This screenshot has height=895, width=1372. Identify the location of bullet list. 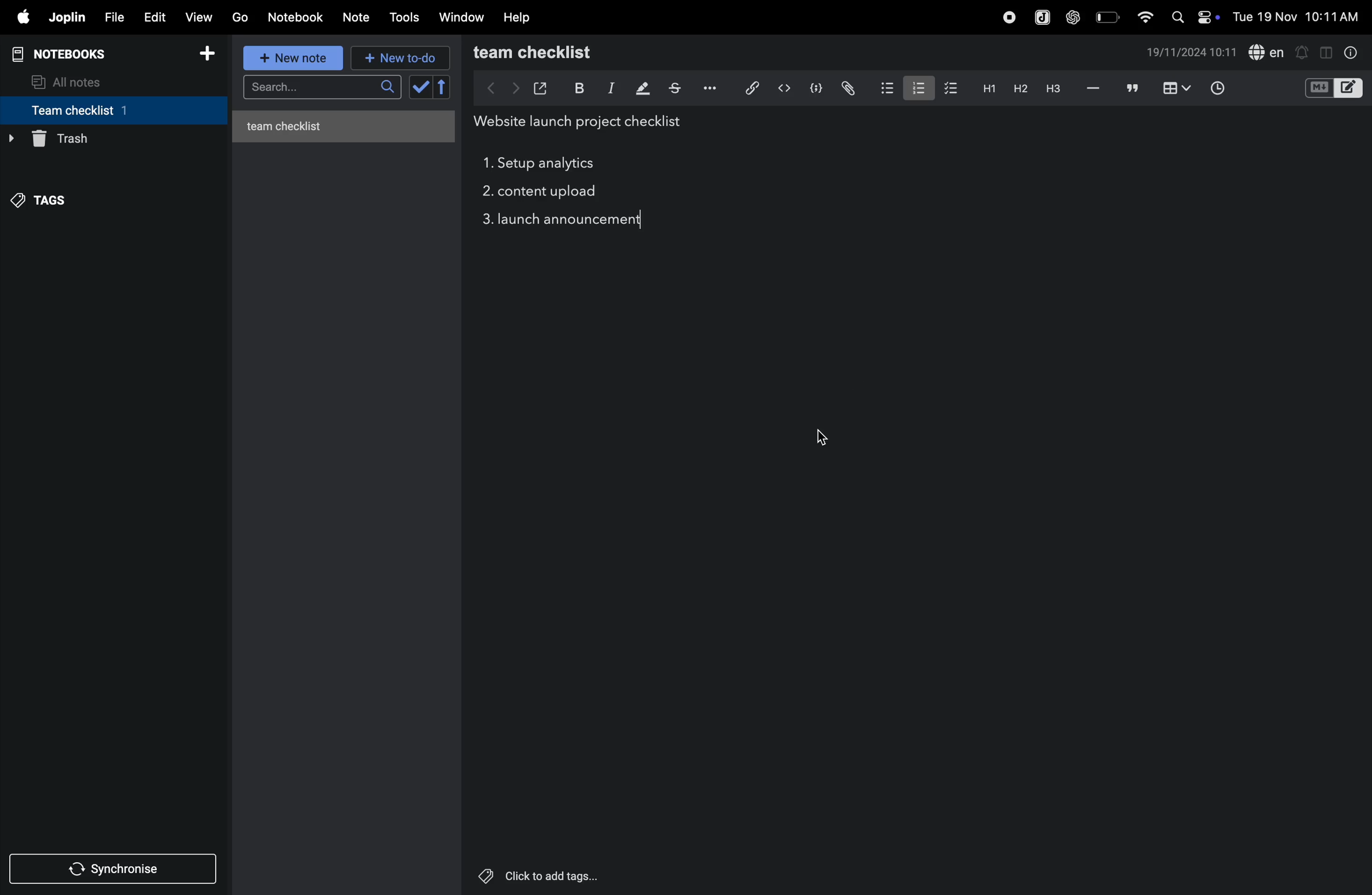
(884, 88).